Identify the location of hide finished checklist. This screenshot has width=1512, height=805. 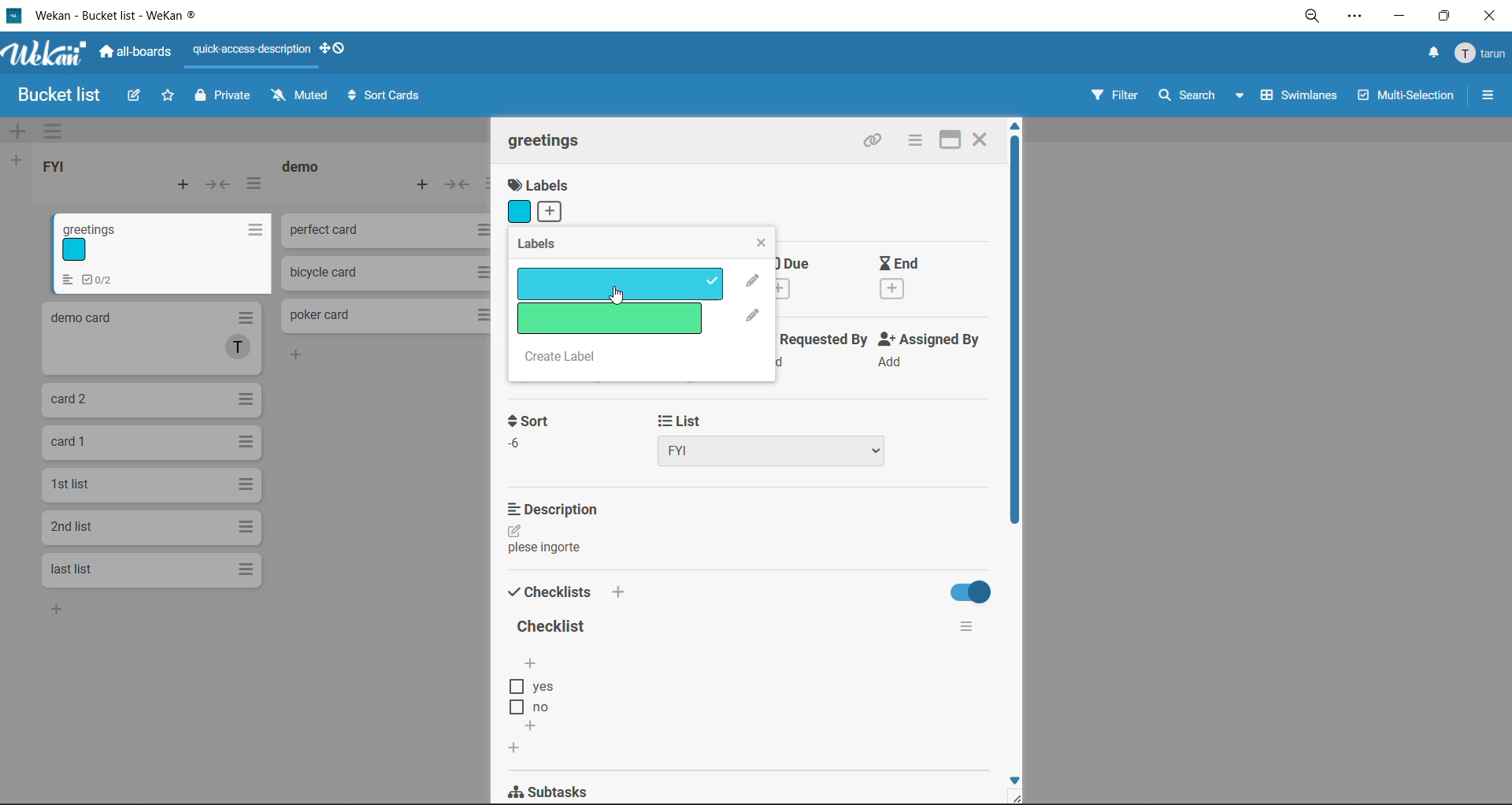
(966, 590).